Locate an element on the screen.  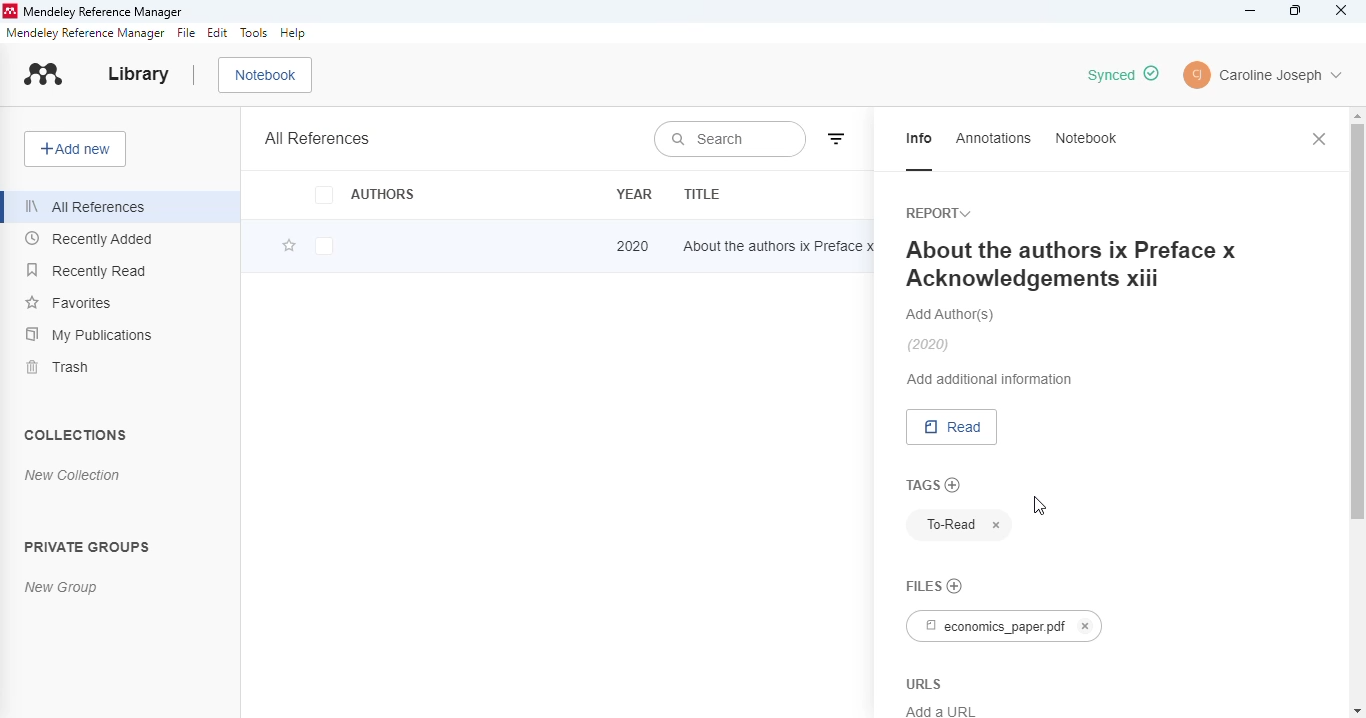
account is located at coordinates (1262, 74).